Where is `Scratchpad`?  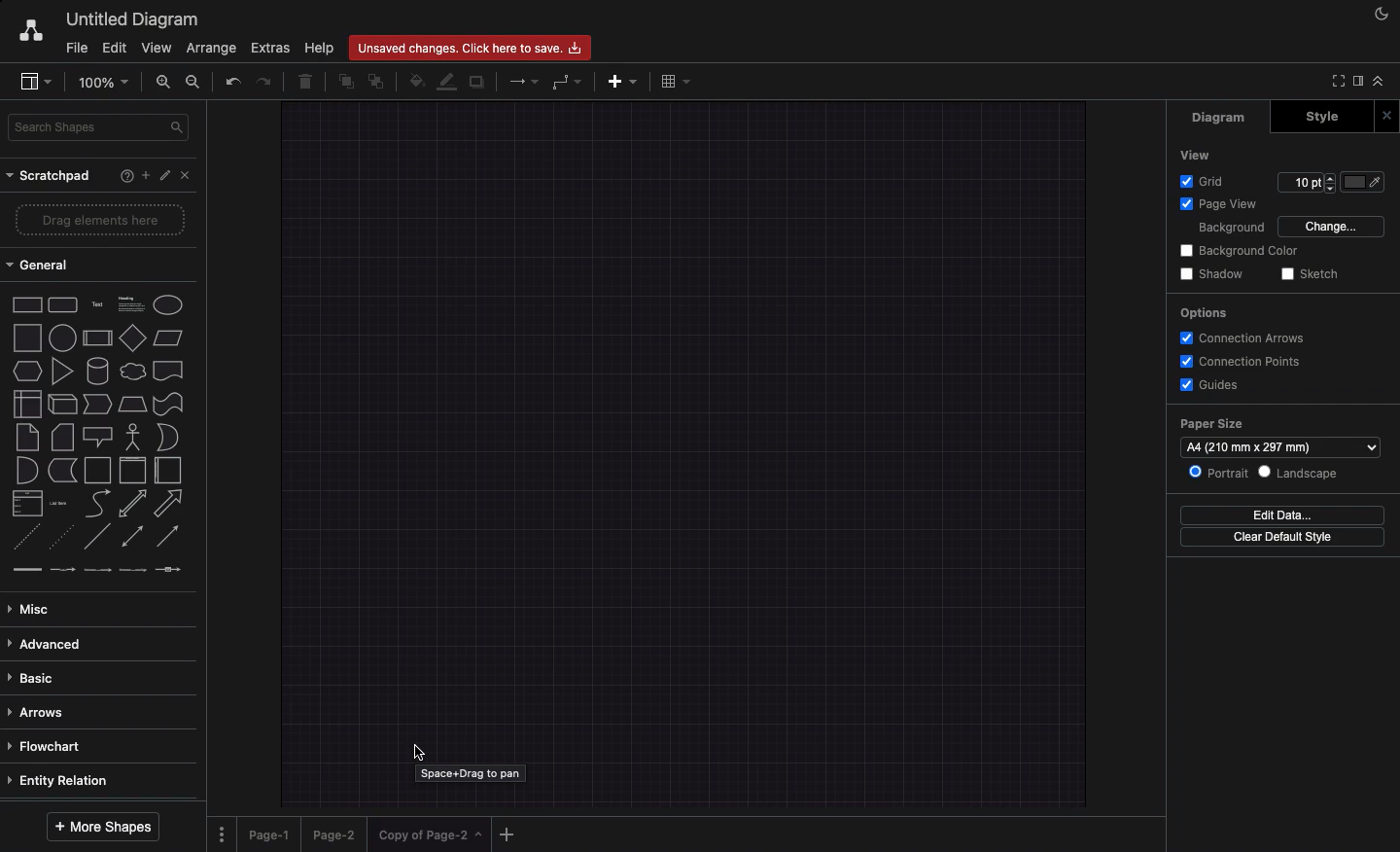
Scratchpad is located at coordinates (52, 177).